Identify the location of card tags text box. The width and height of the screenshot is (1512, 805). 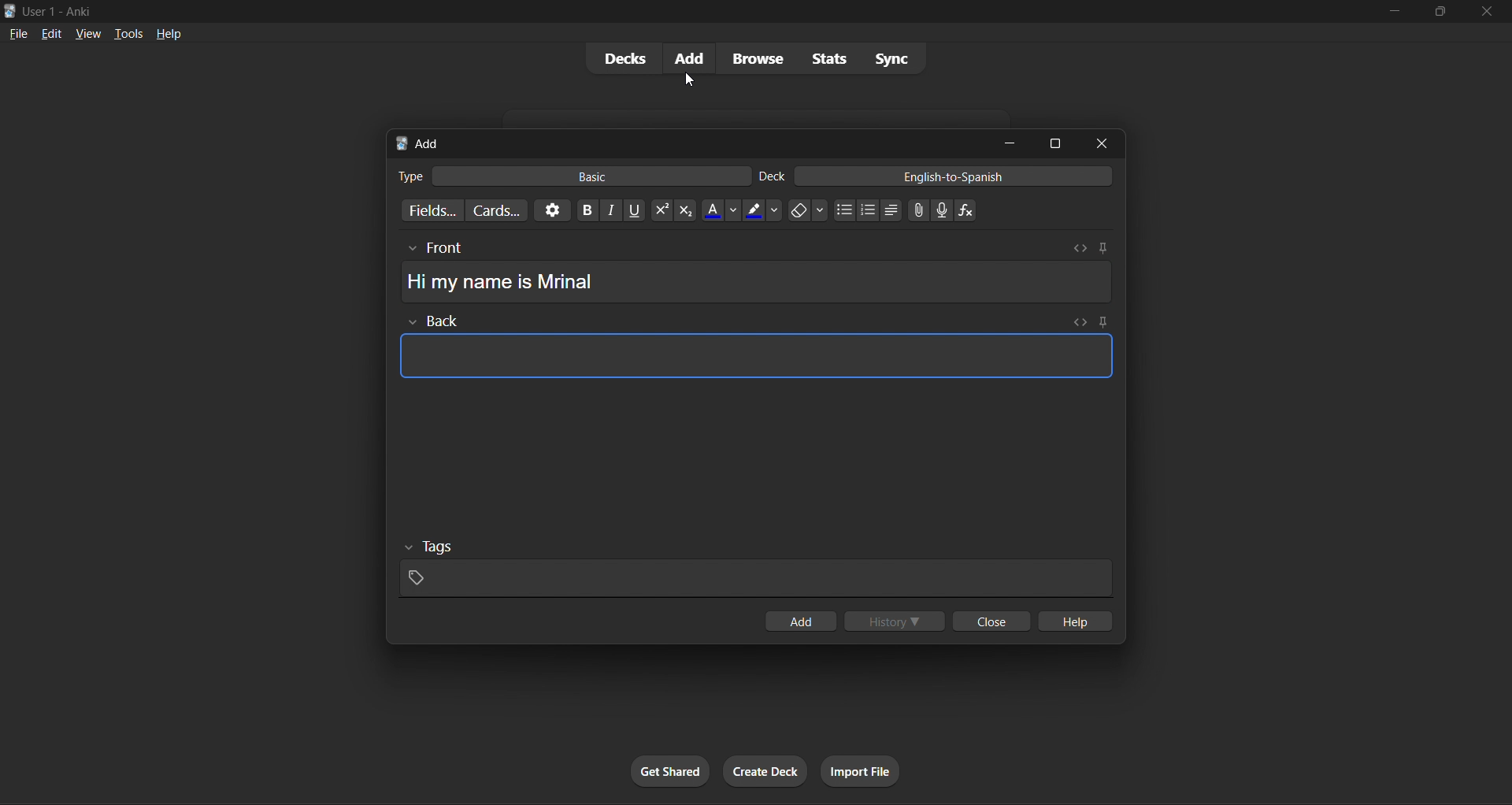
(754, 568).